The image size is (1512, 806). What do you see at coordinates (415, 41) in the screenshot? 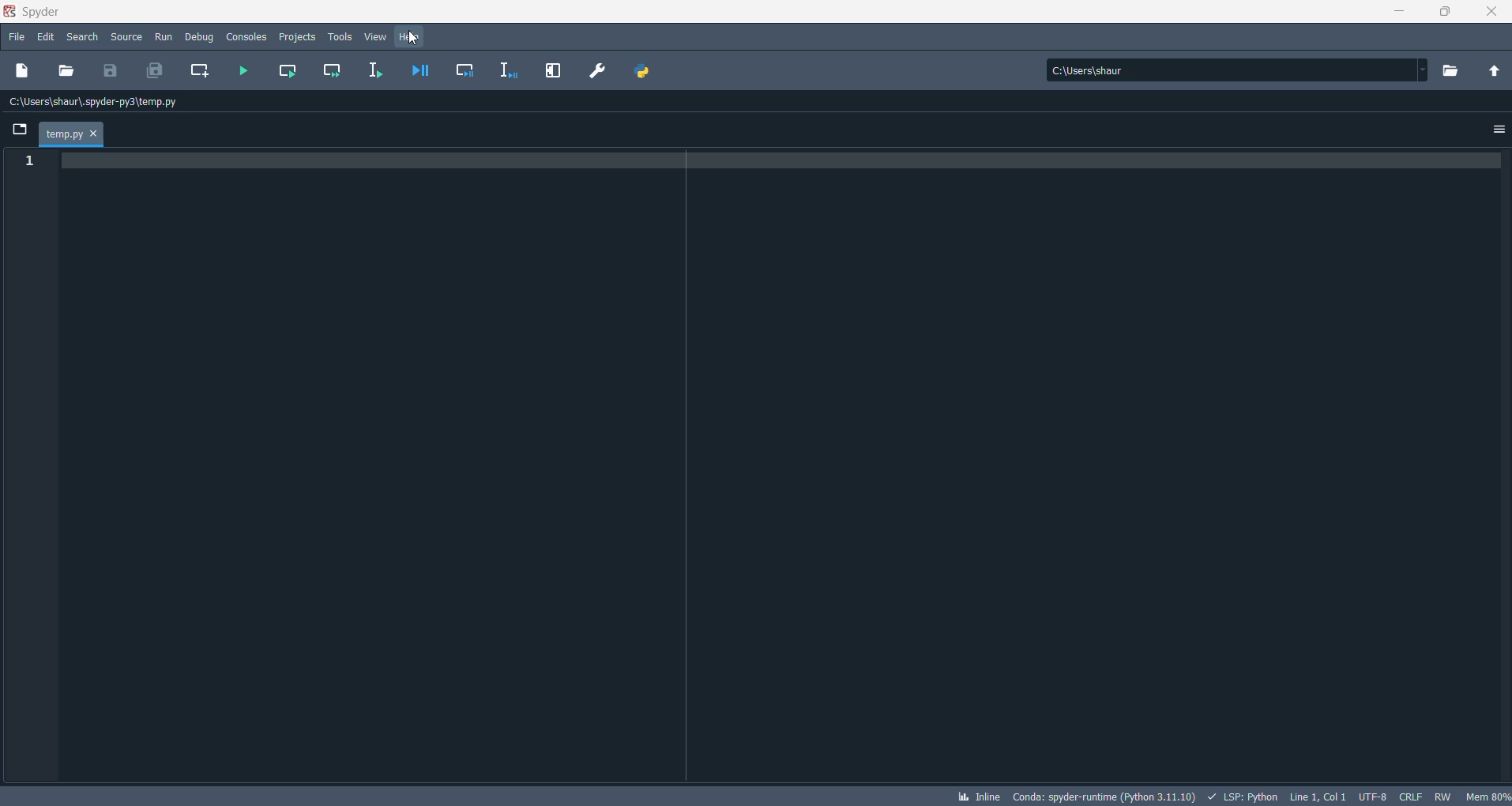
I see `cursor` at bounding box center [415, 41].